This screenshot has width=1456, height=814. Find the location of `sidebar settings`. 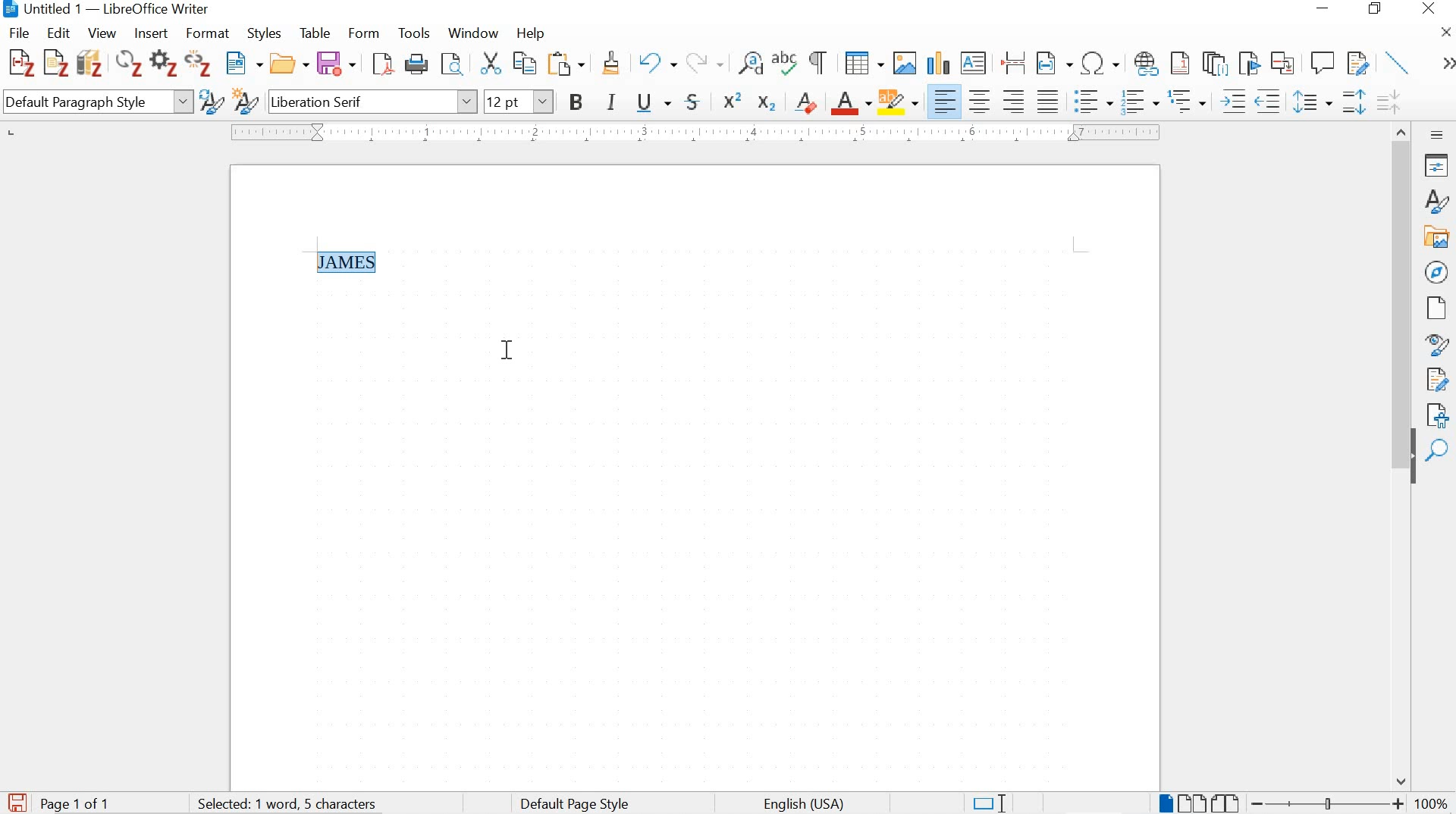

sidebar settings is located at coordinates (1438, 134).